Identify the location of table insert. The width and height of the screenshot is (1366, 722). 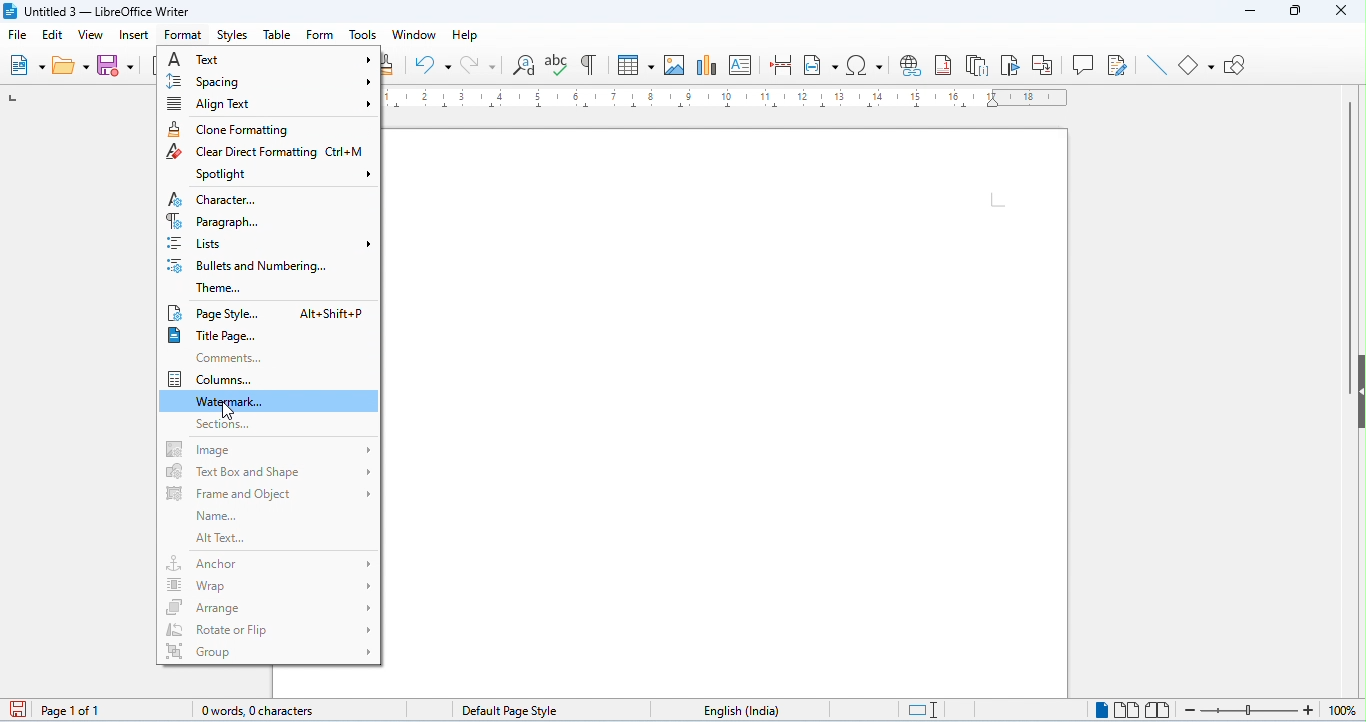
(633, 62).